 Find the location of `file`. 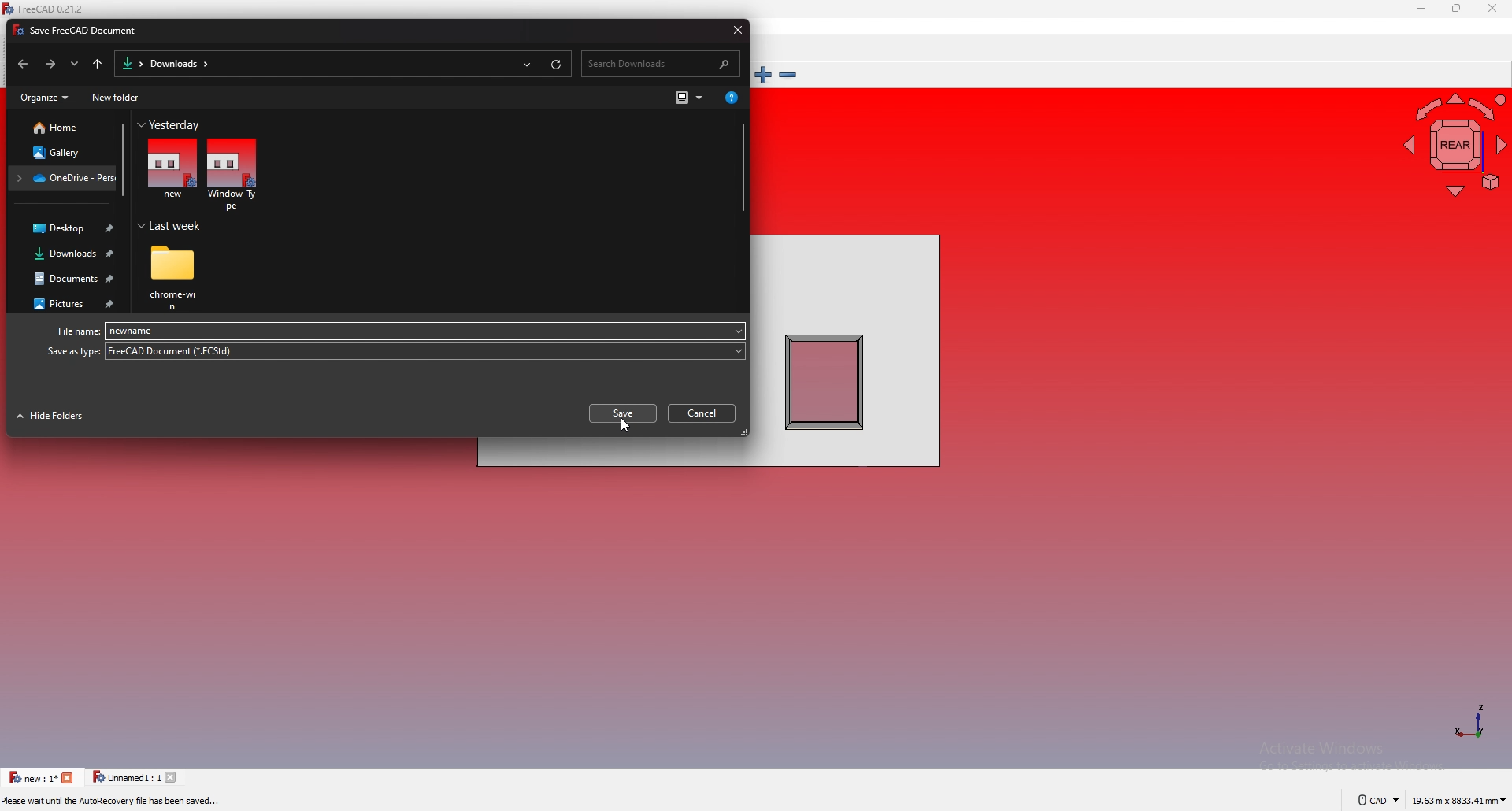

file is located at coordinates (235, 176).